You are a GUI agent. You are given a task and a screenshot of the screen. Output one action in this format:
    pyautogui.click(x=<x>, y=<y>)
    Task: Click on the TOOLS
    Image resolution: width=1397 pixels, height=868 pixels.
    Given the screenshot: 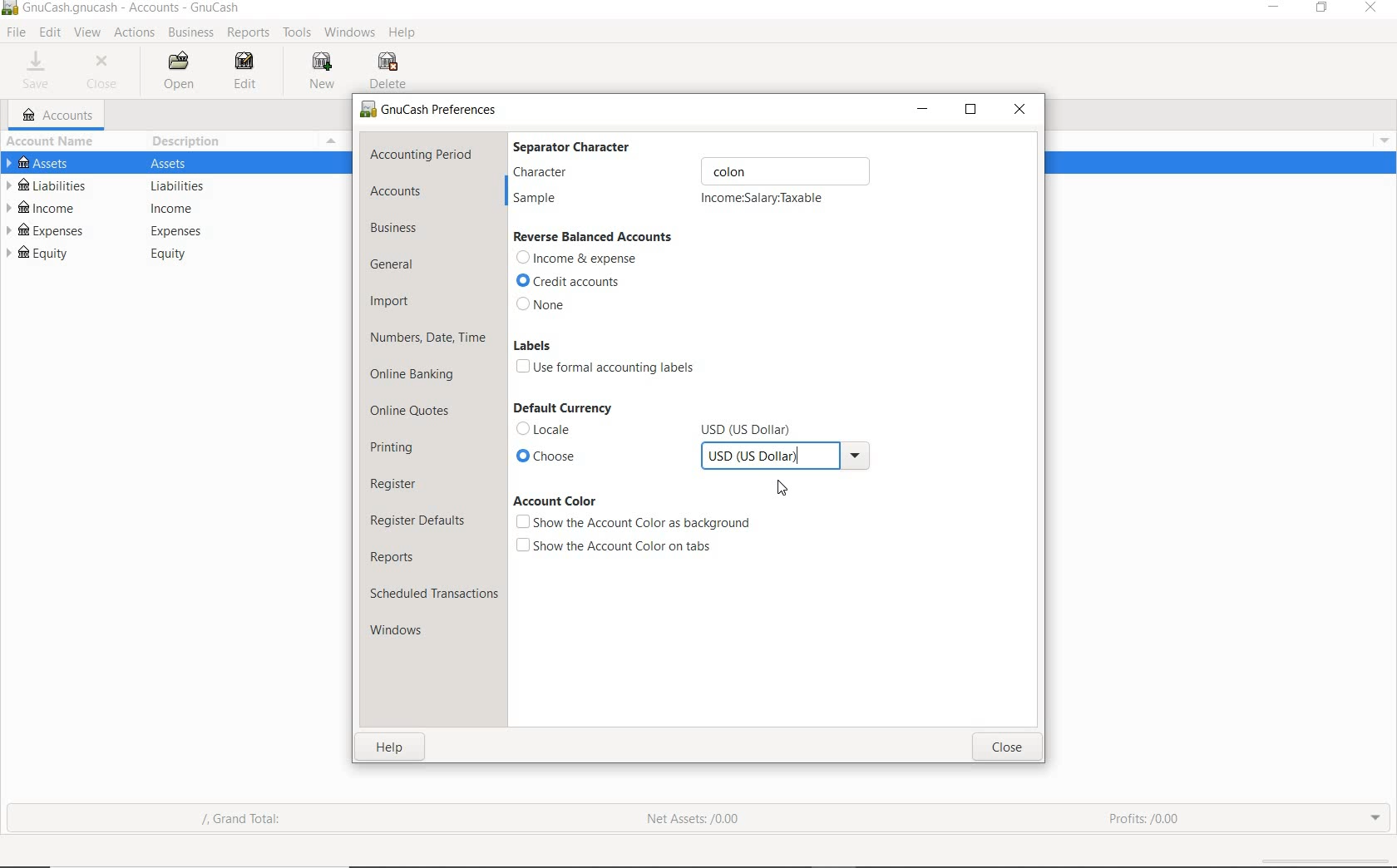 What is the action you would take?
    pyautogui.click(x=295, y=33)
    